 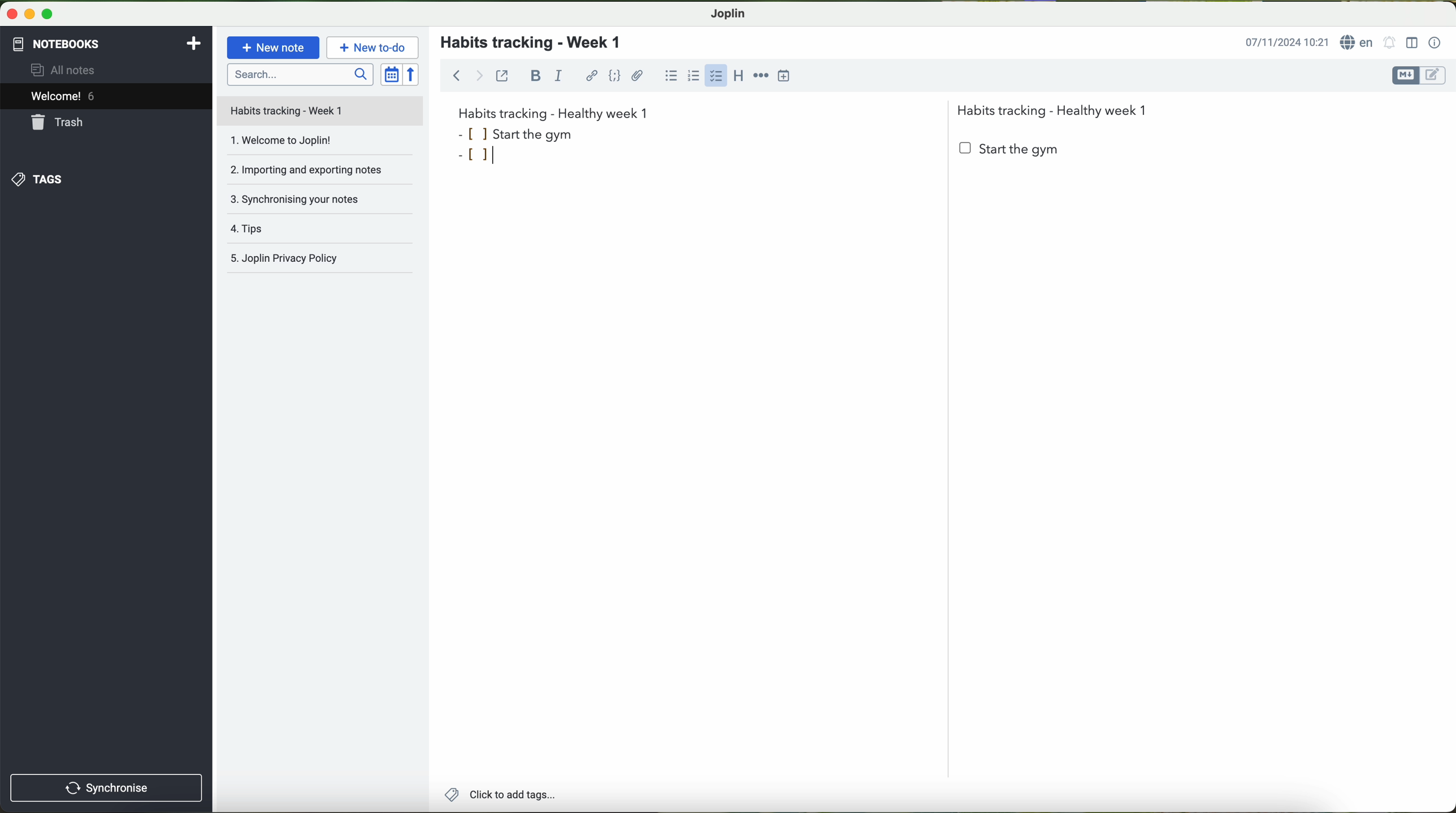 I want to click on minimize, so click(x=27, y=13).